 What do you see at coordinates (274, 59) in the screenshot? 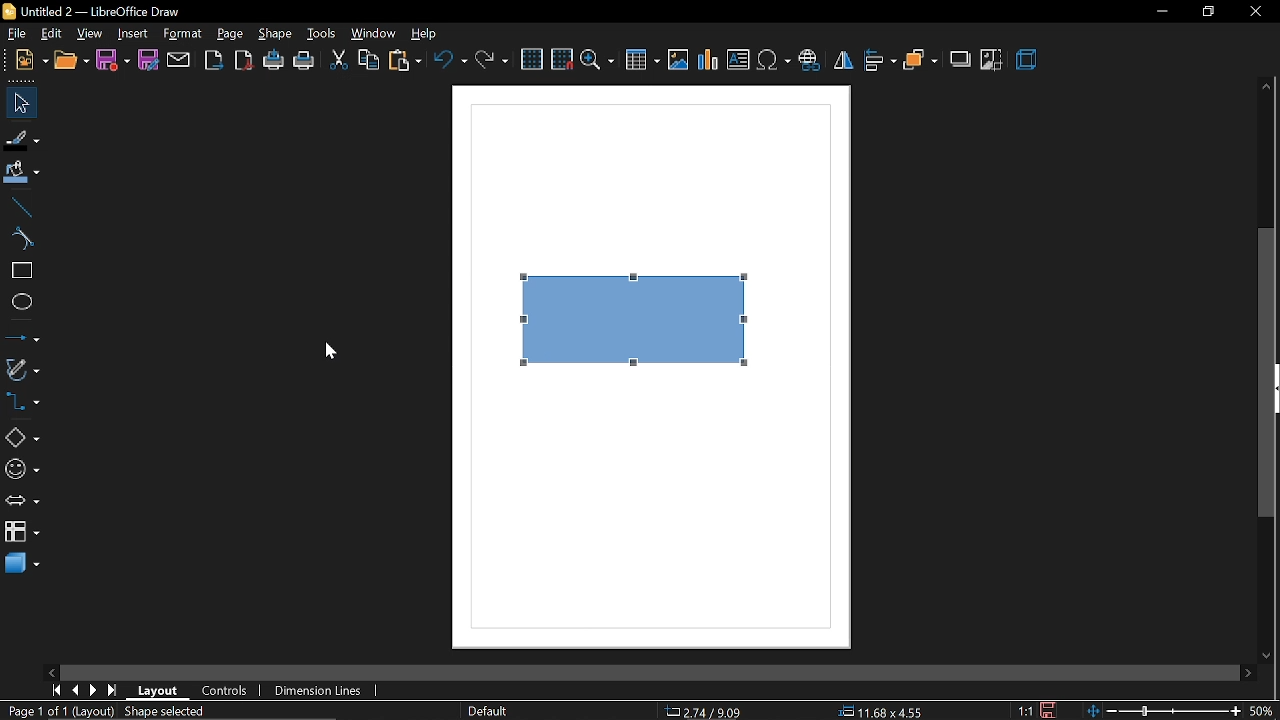
I see `print directly` at bounding box center [274, 59].